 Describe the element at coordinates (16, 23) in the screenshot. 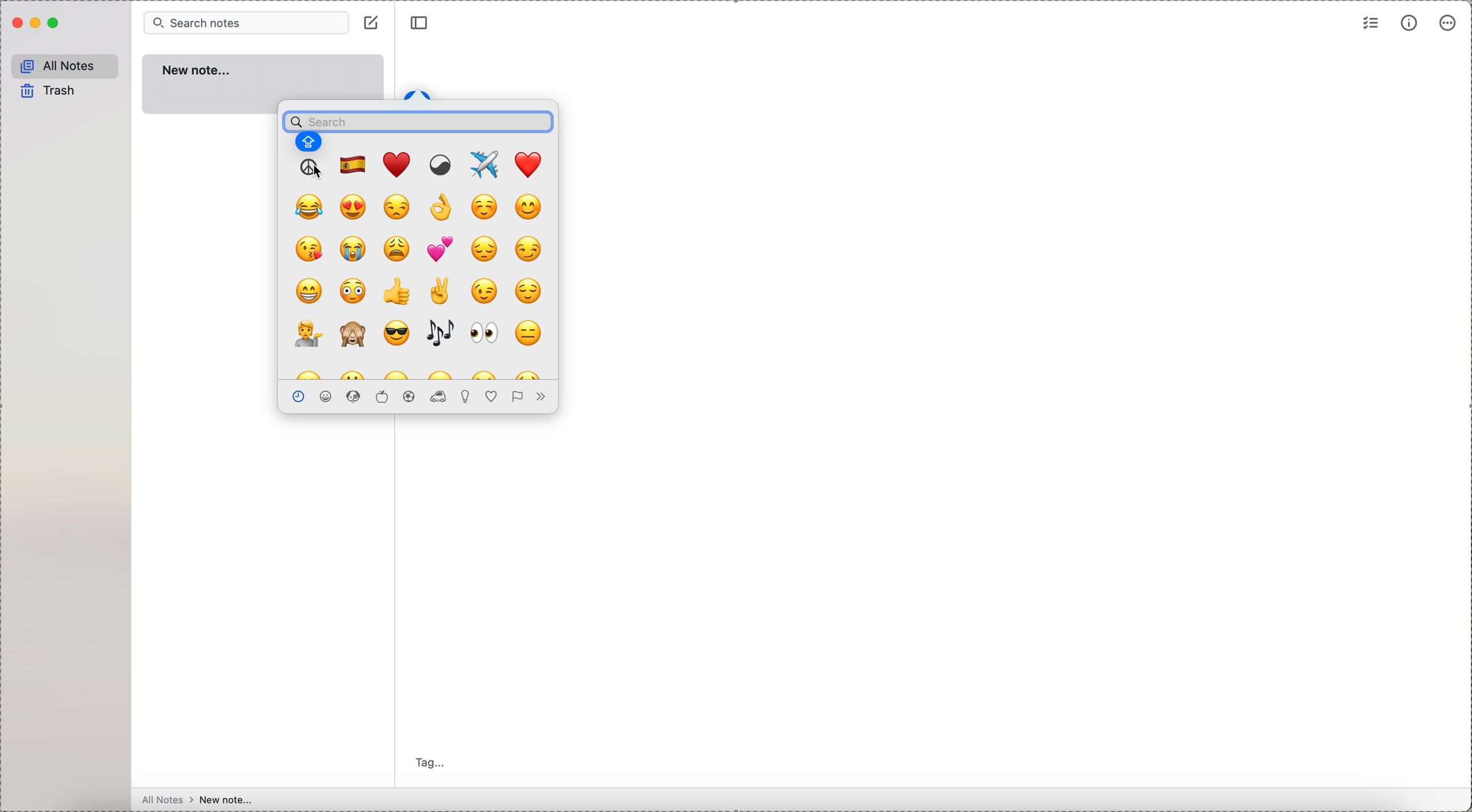

I see `close Simplenote` at that location.